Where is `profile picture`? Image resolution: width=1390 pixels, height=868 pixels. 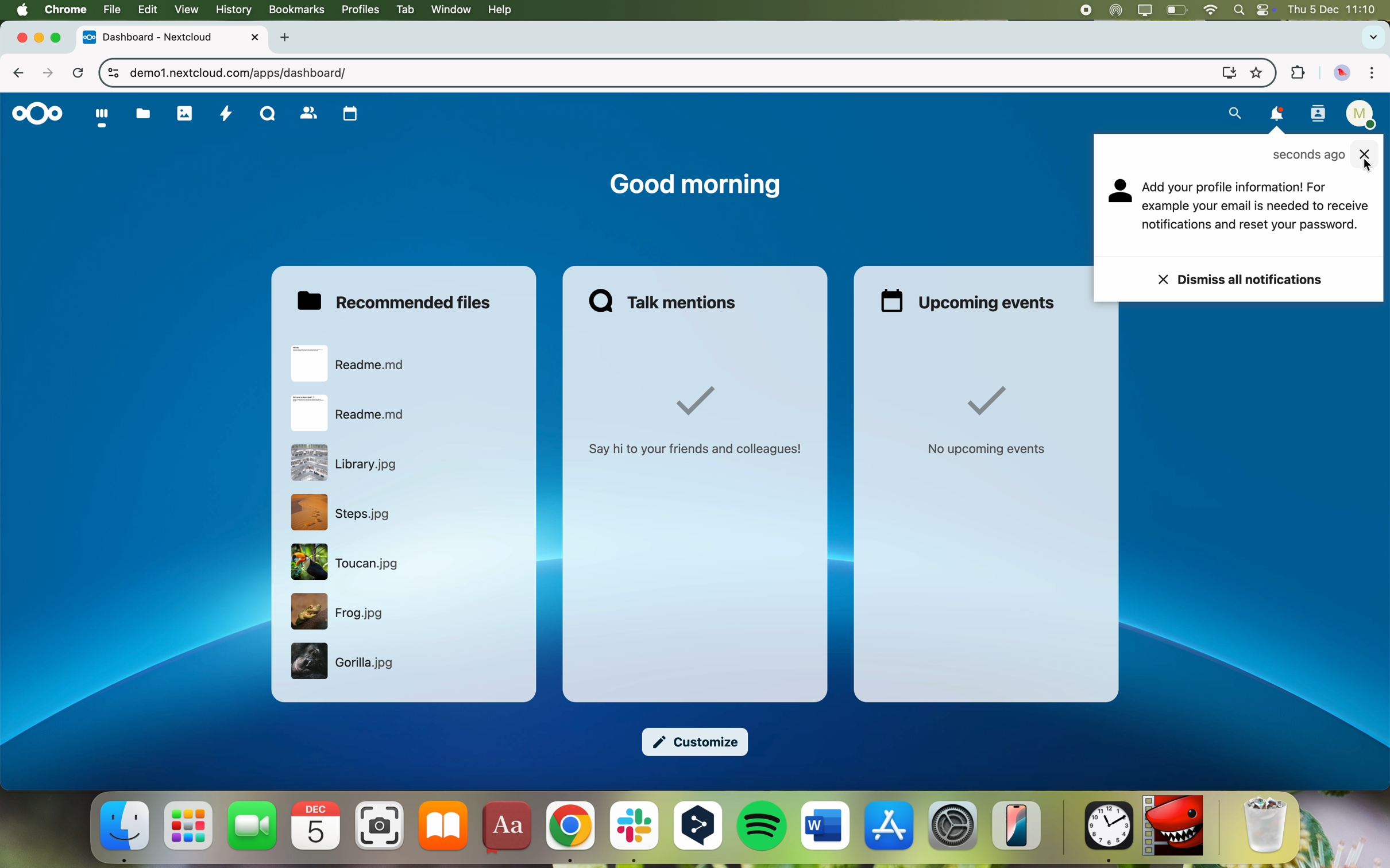 profile picture is located at coordinates (1342, 74).